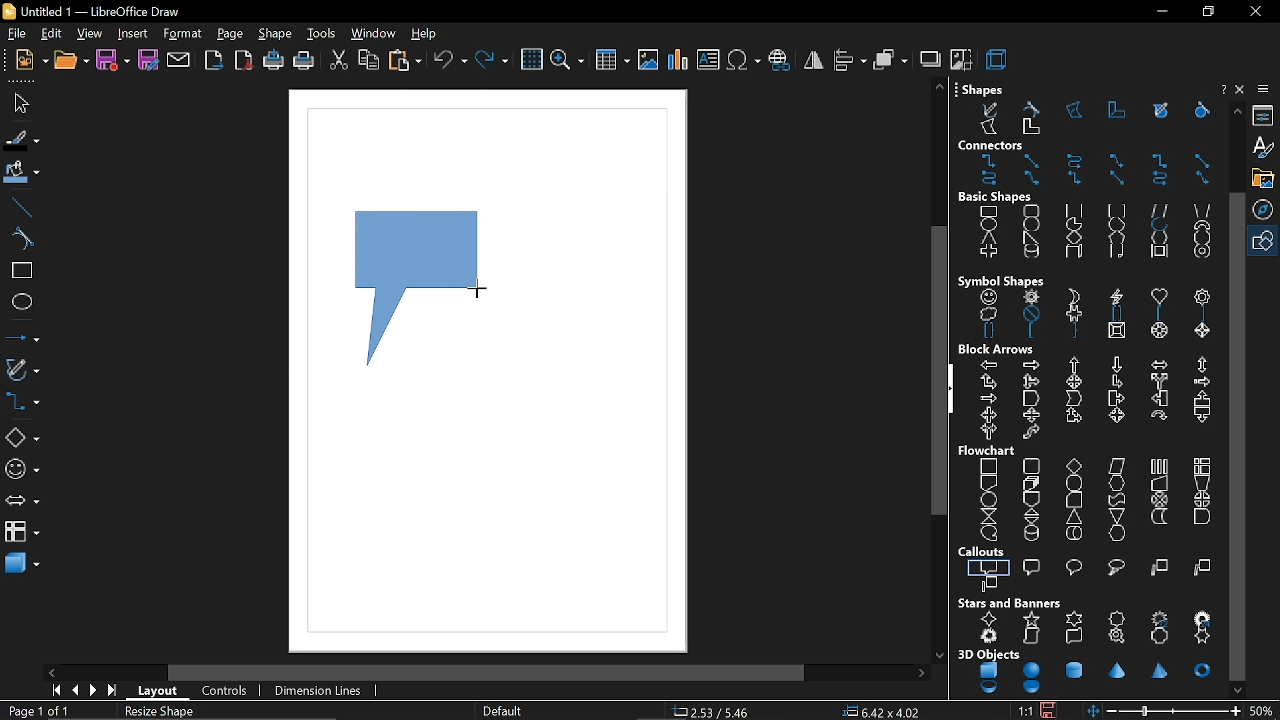  What do you see at coordinates (1201, 499) in the screenshot?
I see `or` at bounding box center [1201, 499].